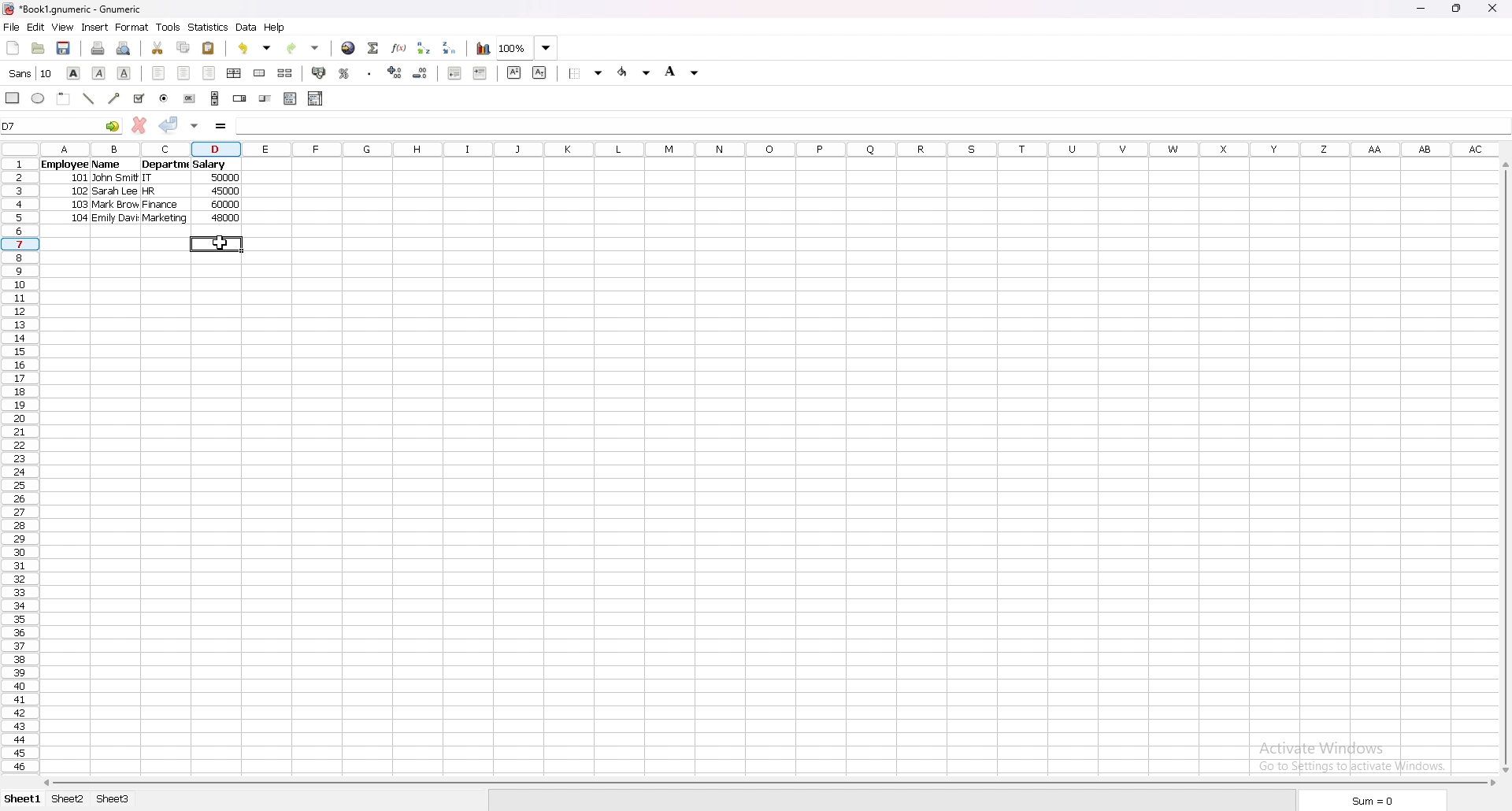 The width and height of the screenshot is (1512, 811). What do you see at coordinates (255, 48) in the screenshot?
I see `undo` at bounding box center [255, 48].